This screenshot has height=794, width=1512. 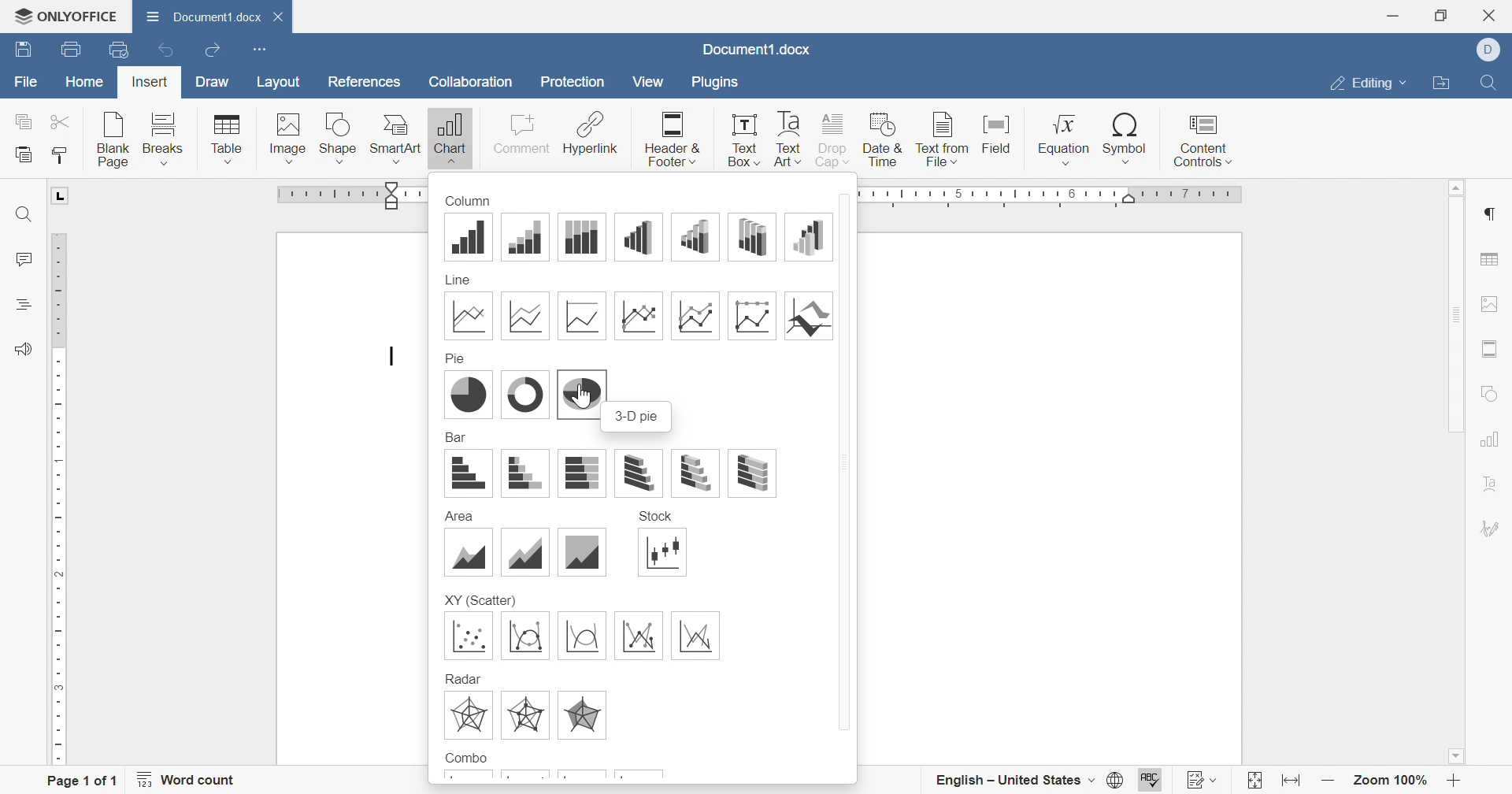 What do you see at coordinates (1251, 779) in the screenshot?
I see `Fit To Page` at bounding box center [1251, 779].